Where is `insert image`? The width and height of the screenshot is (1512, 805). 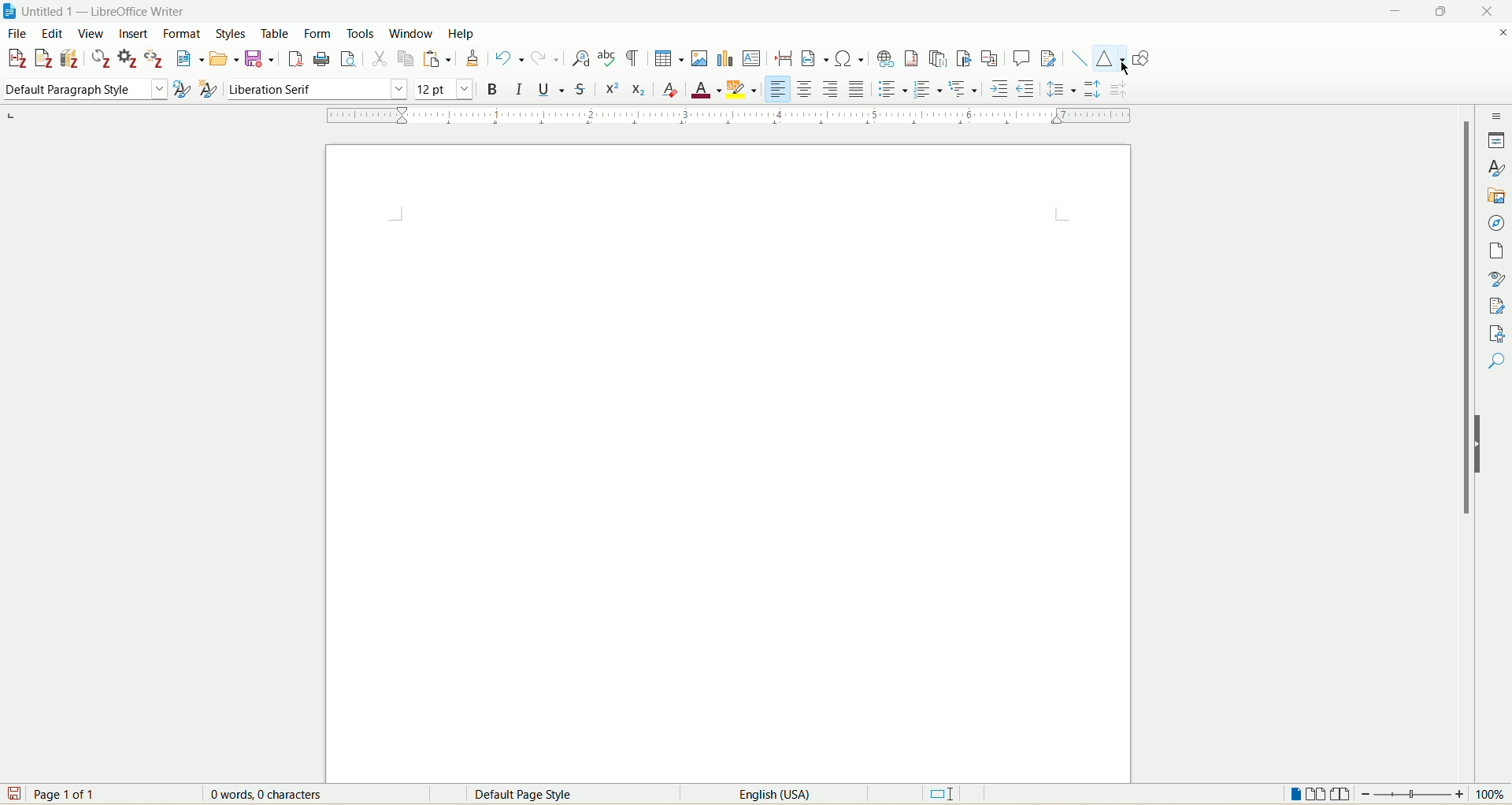 insert image is located at coordinates (702, 57).